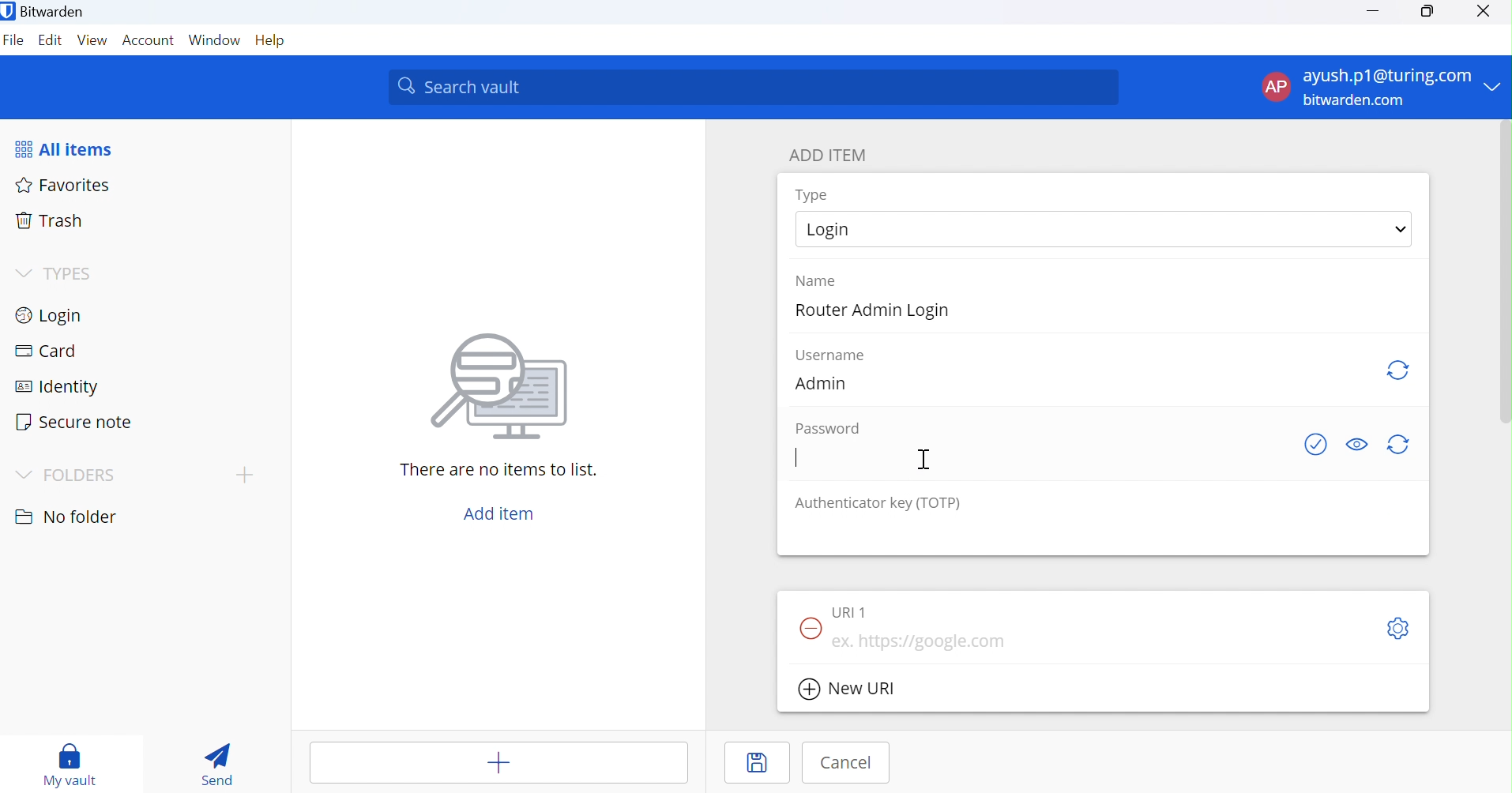 The width and height of the screenshot is (1512, 793). What do you see at coordinates (65, 513) in the screenshot?
I see `No folder` at bounding box center [65, 513].